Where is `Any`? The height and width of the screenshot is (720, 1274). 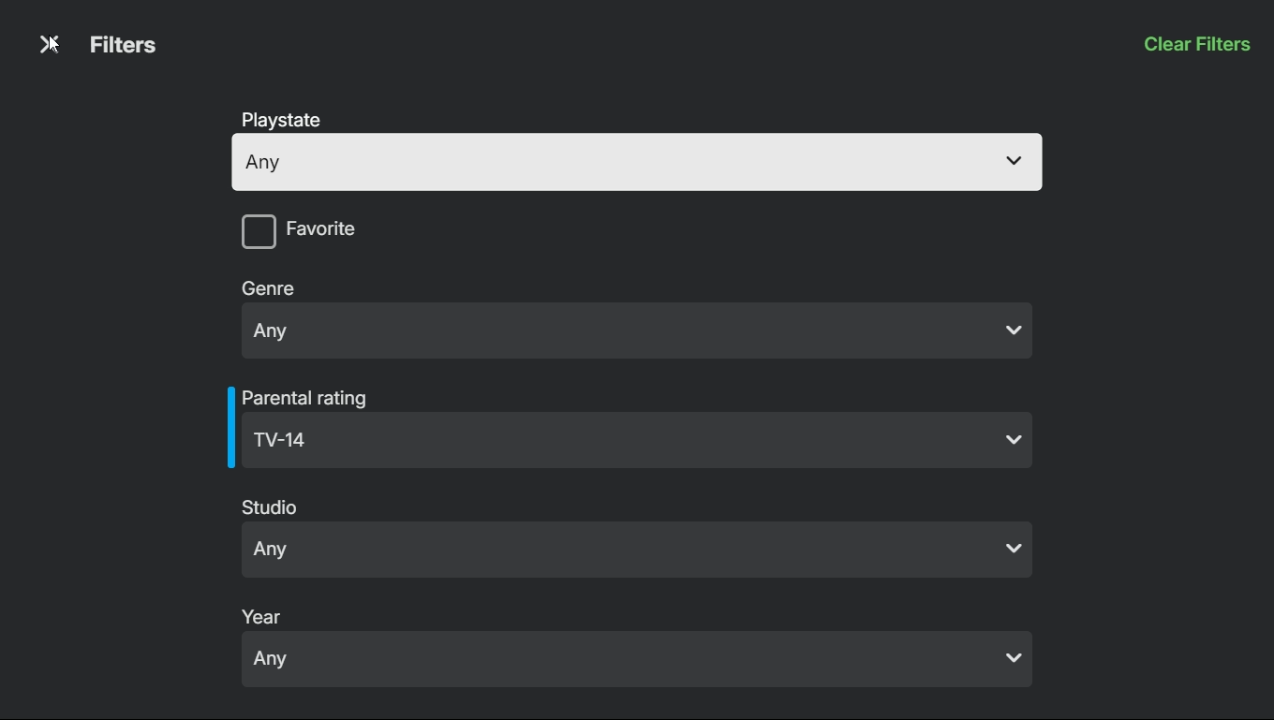
Any is located at coordinates (637, 329).